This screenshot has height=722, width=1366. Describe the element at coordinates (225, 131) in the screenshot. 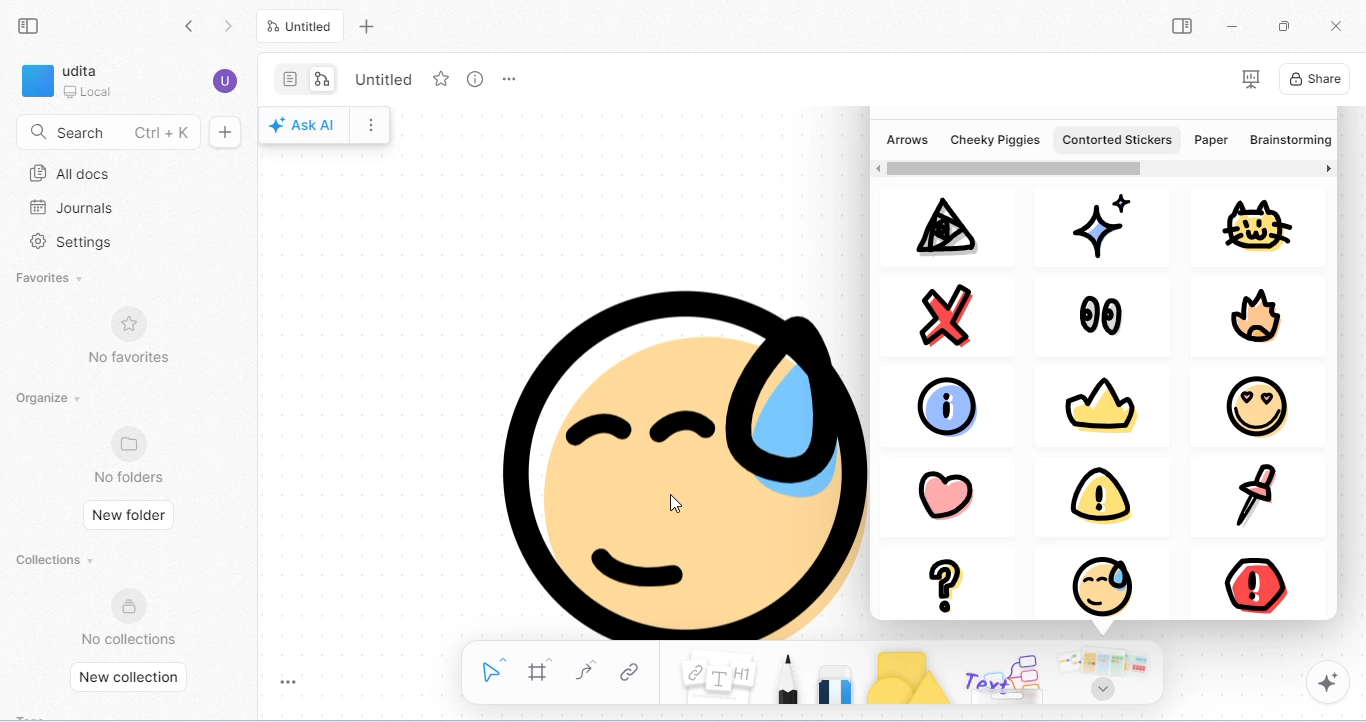

I see `new doc` at that location.